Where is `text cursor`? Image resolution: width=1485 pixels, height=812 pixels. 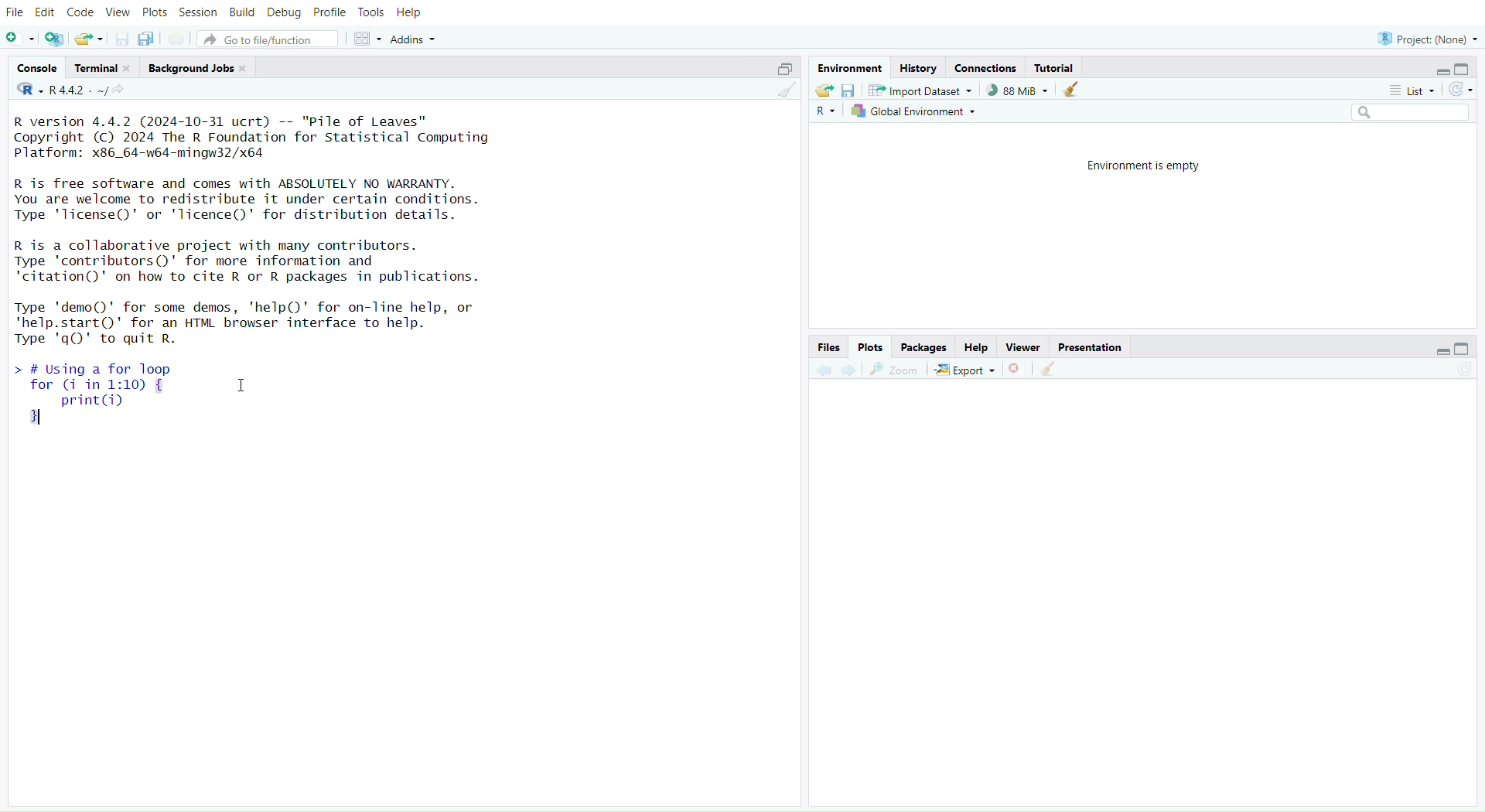 text cursor is located at coordinates (45, 419).